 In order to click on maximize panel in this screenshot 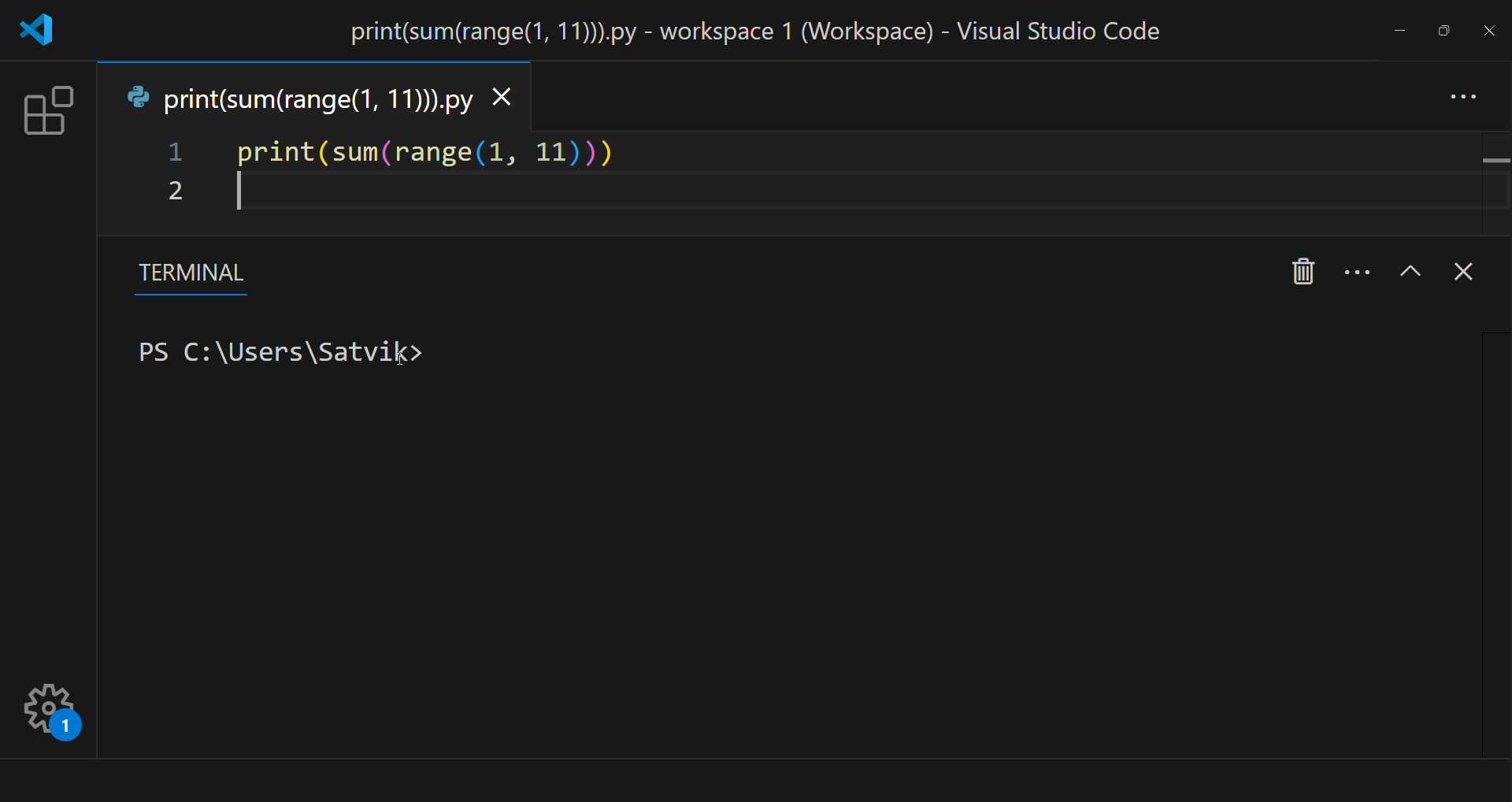, I will do `click(1412, 270)`.